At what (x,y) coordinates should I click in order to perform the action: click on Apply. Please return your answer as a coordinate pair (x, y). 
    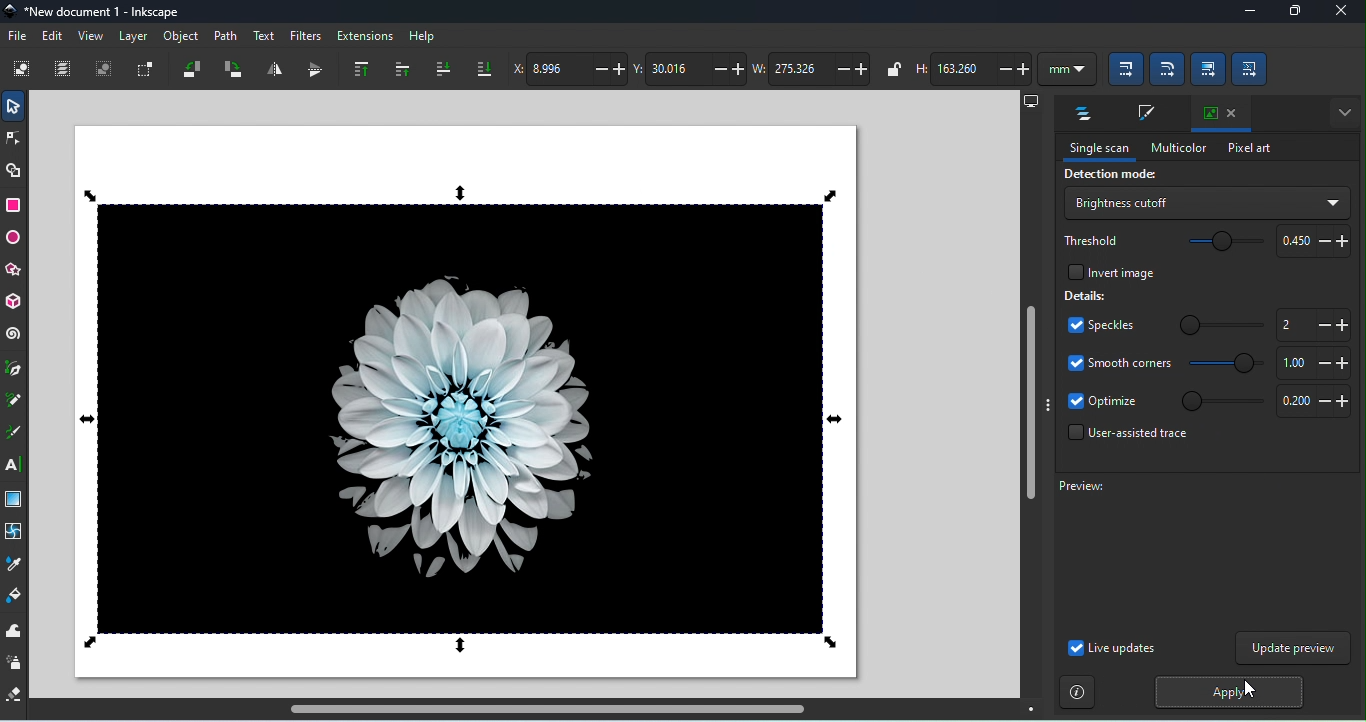
    Looking at the image, I should click on (1227, 692).